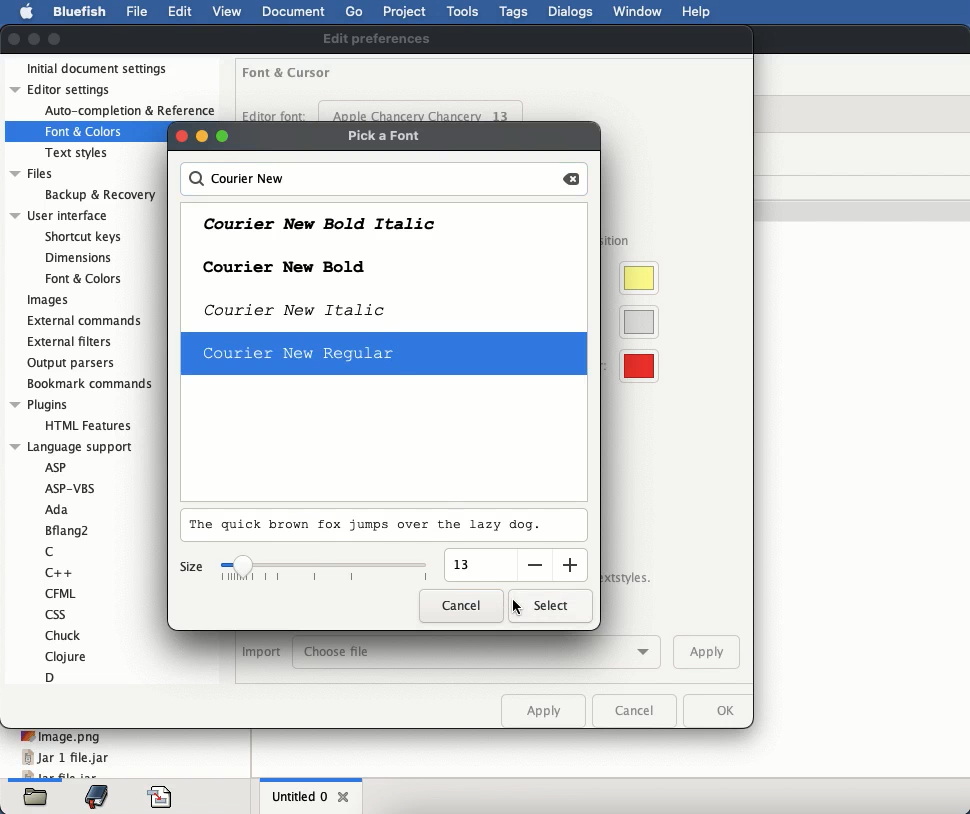  Describe the element at coordinates (76, 415) in the screenshot. I see `plugins ` at that location.